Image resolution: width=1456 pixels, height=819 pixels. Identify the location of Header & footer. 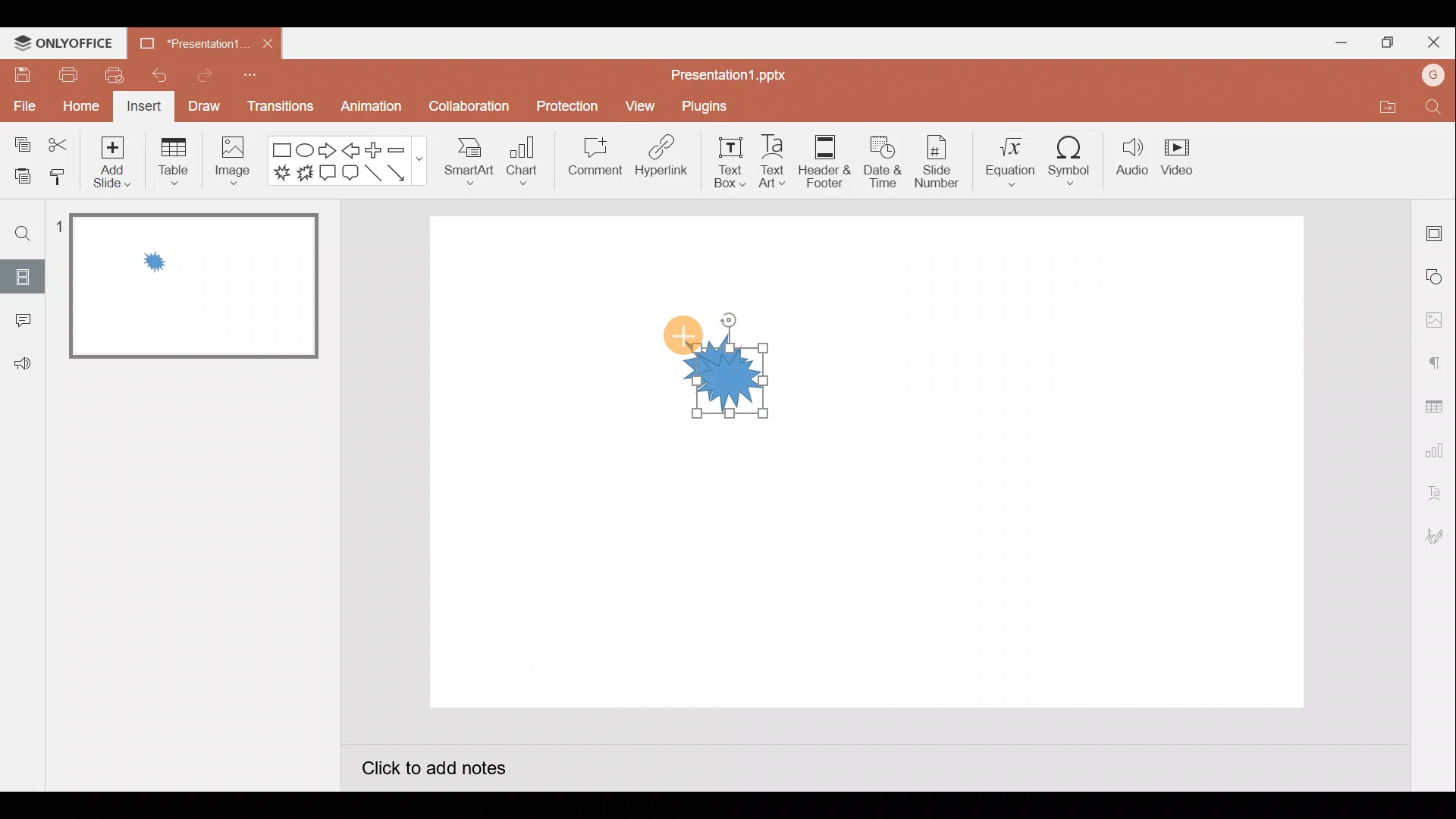
(824, 162).